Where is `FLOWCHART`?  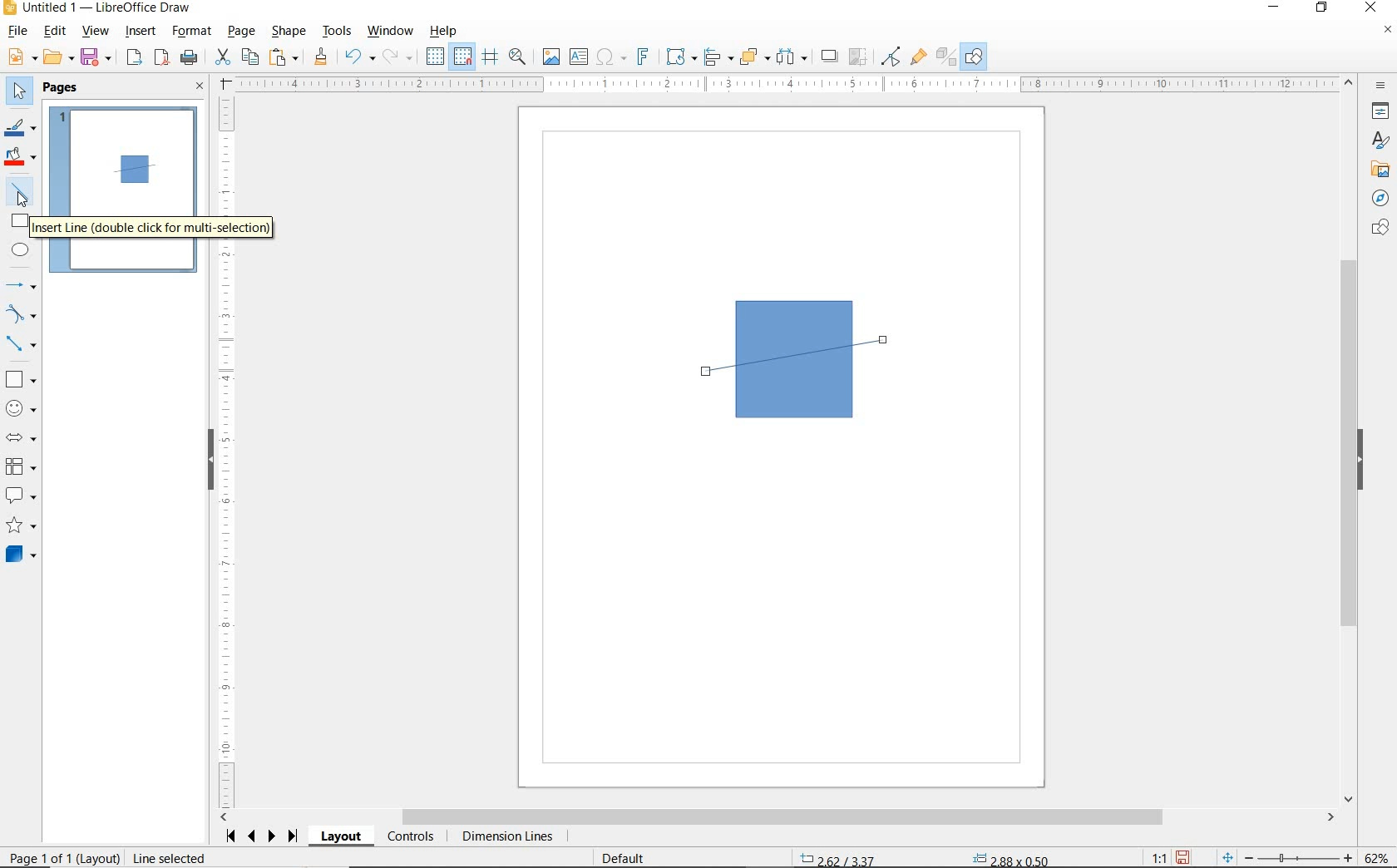 FLOWCHART is located at coordinates (24, 466).